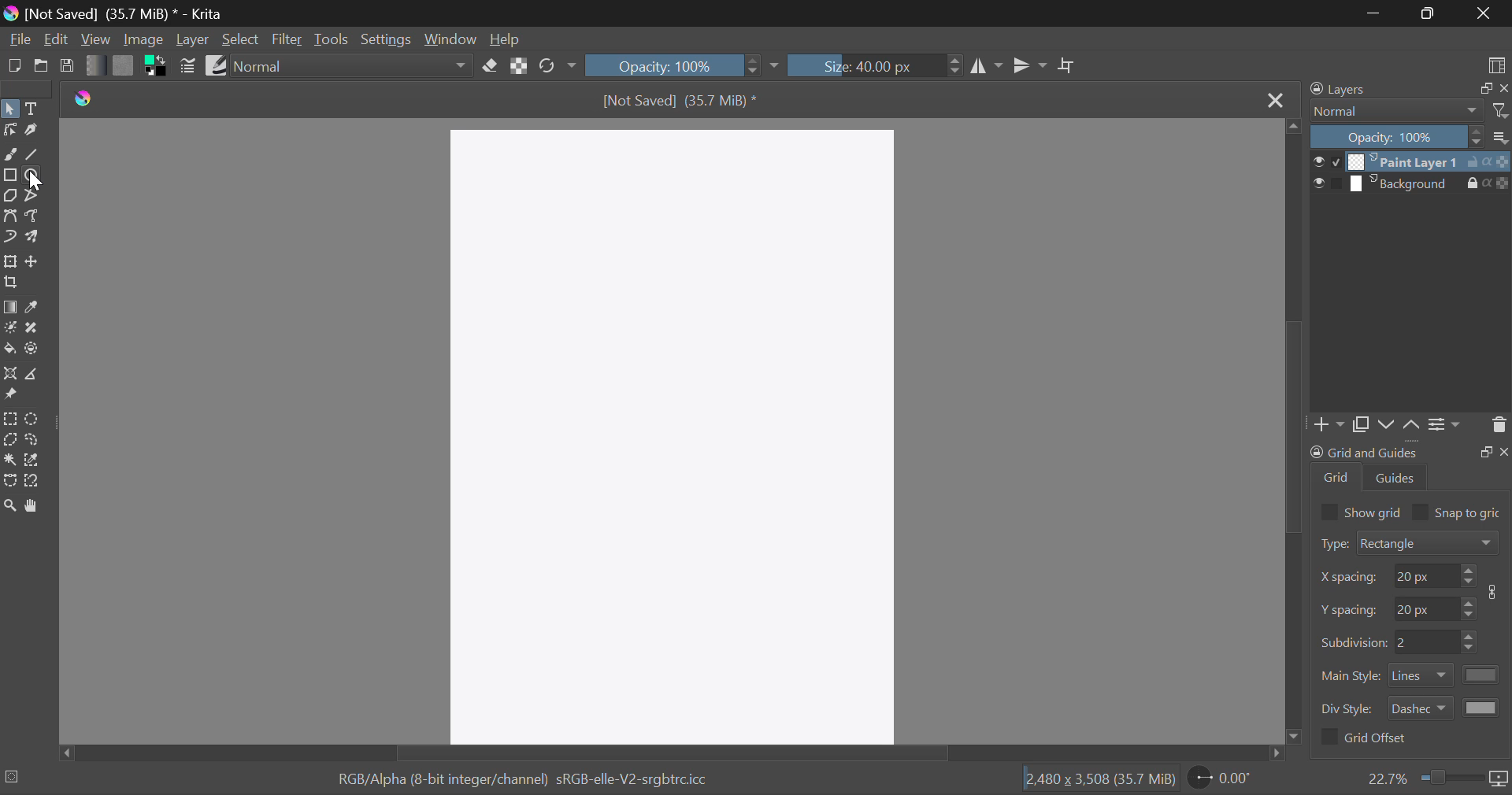  What do you see at coordinates (11, 154) in the screenshot?
I see `Freehand` at bounding box center [11, 154].